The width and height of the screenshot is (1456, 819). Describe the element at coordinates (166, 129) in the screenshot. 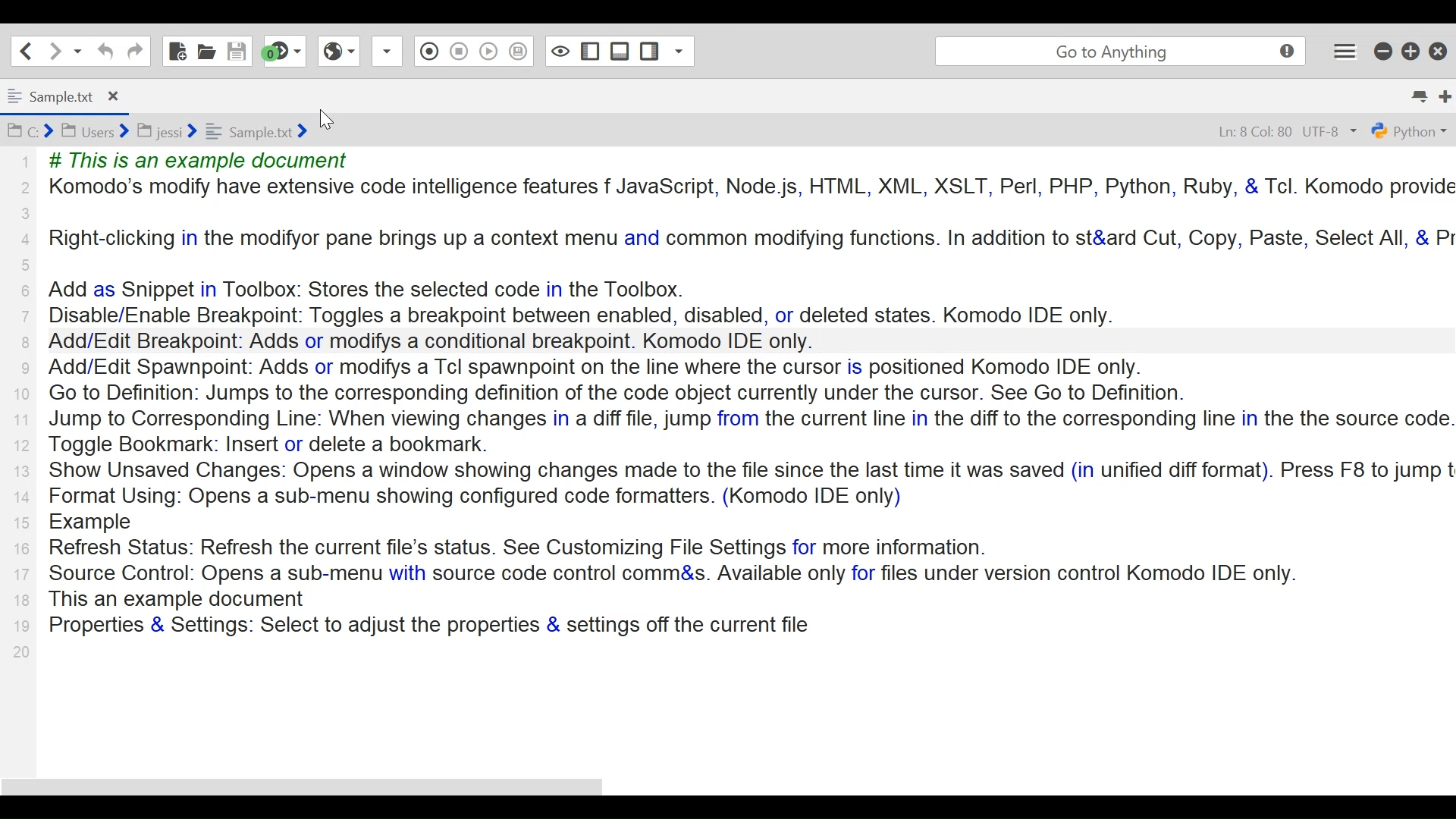

I see `jessi Folder` at that location.